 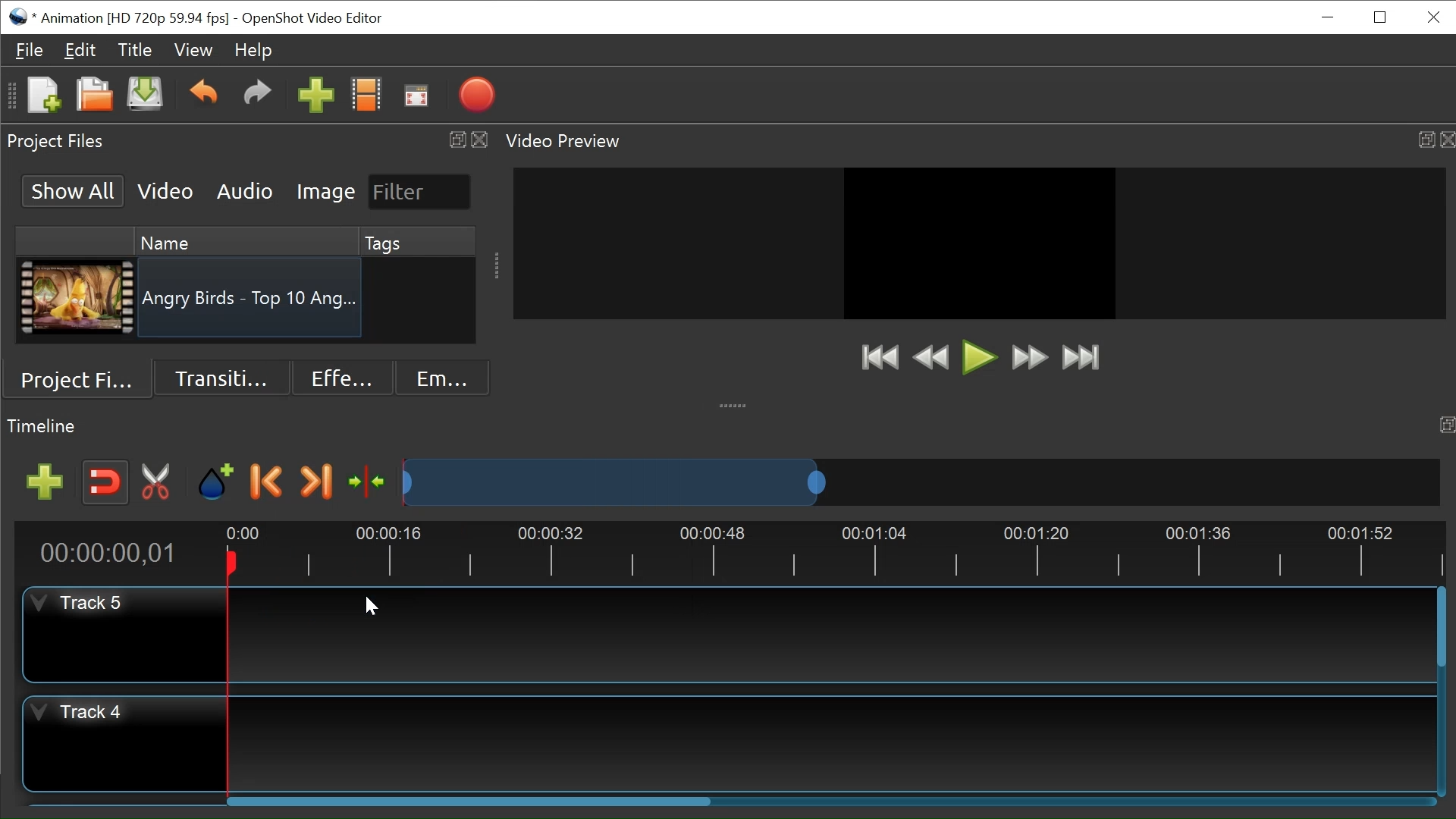 I want to click on Snap, so click(x=104, y=483).